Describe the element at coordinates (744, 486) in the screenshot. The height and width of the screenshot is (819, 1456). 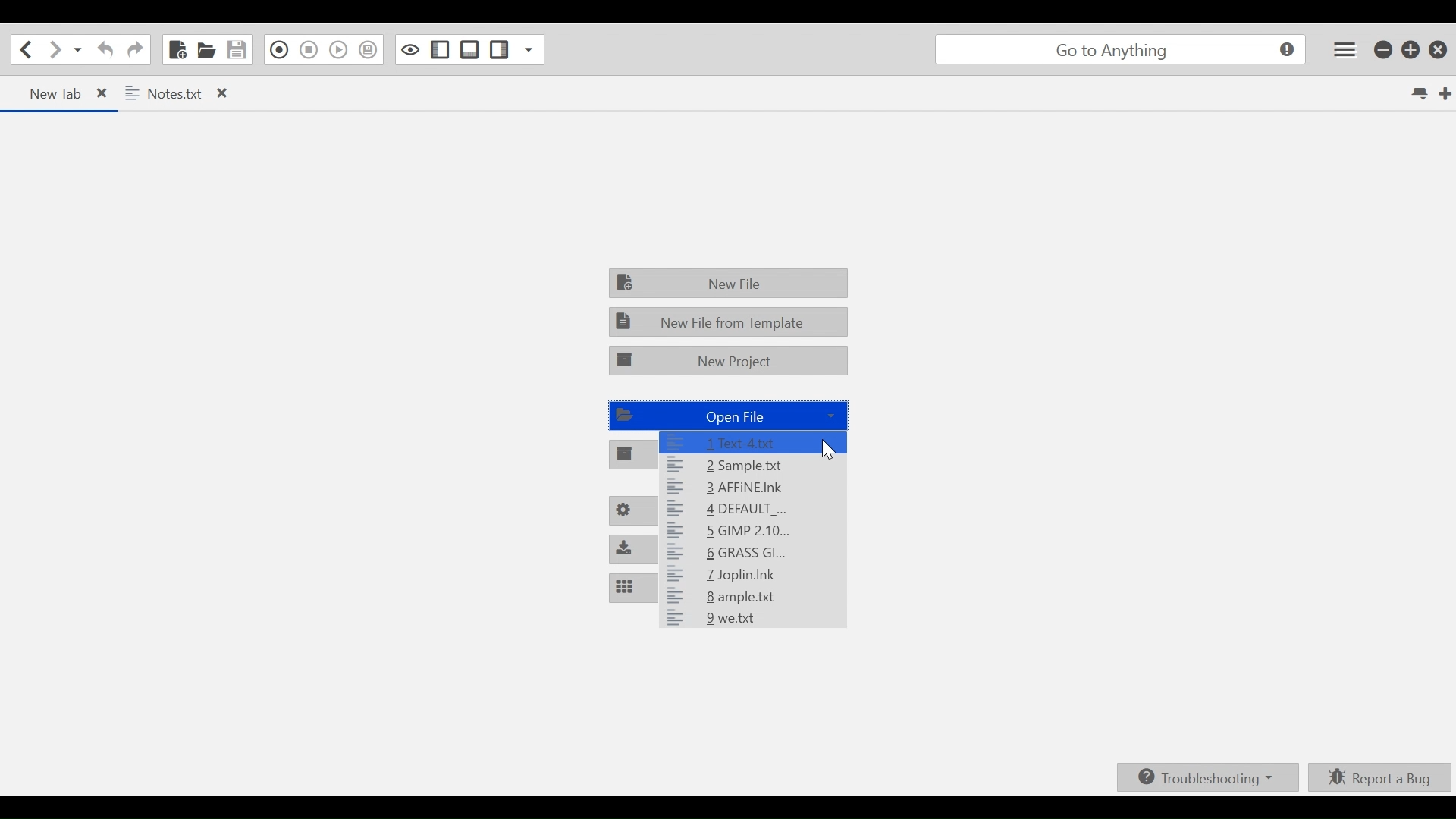
I see `3 AFFINE.Ink` at that location.